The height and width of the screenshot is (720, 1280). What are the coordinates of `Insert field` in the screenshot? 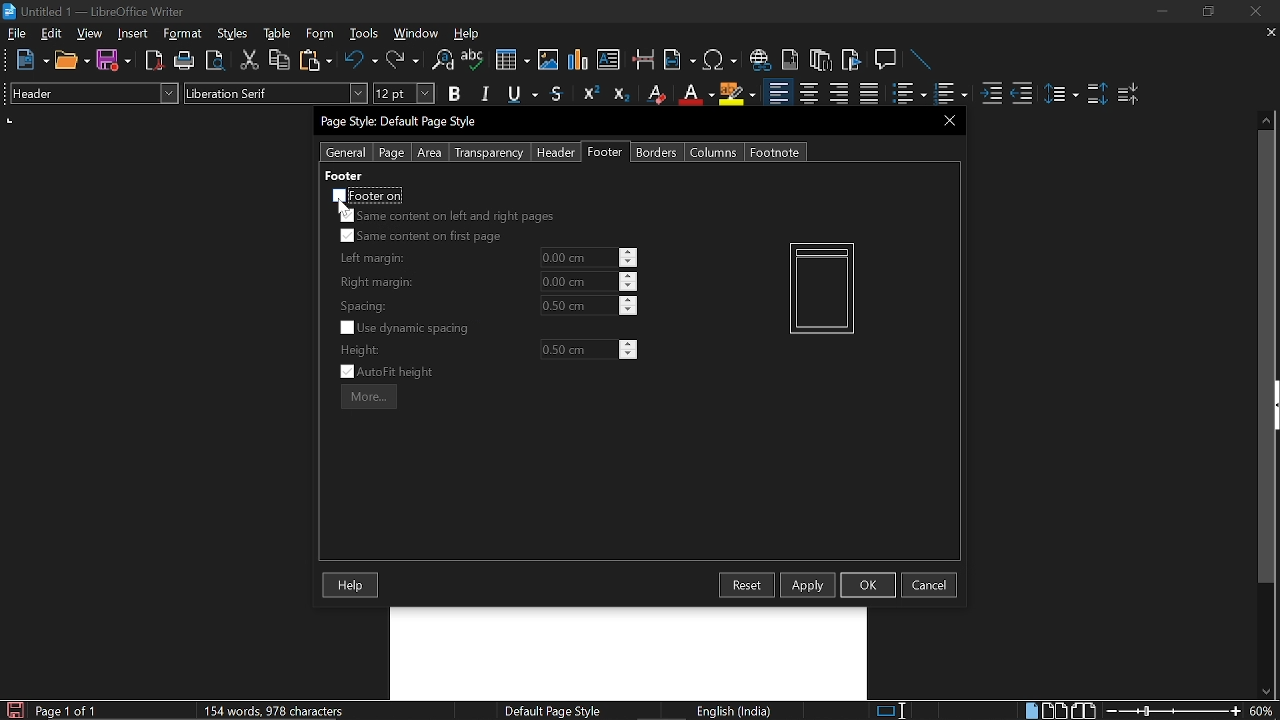 It's located at (680, 61).